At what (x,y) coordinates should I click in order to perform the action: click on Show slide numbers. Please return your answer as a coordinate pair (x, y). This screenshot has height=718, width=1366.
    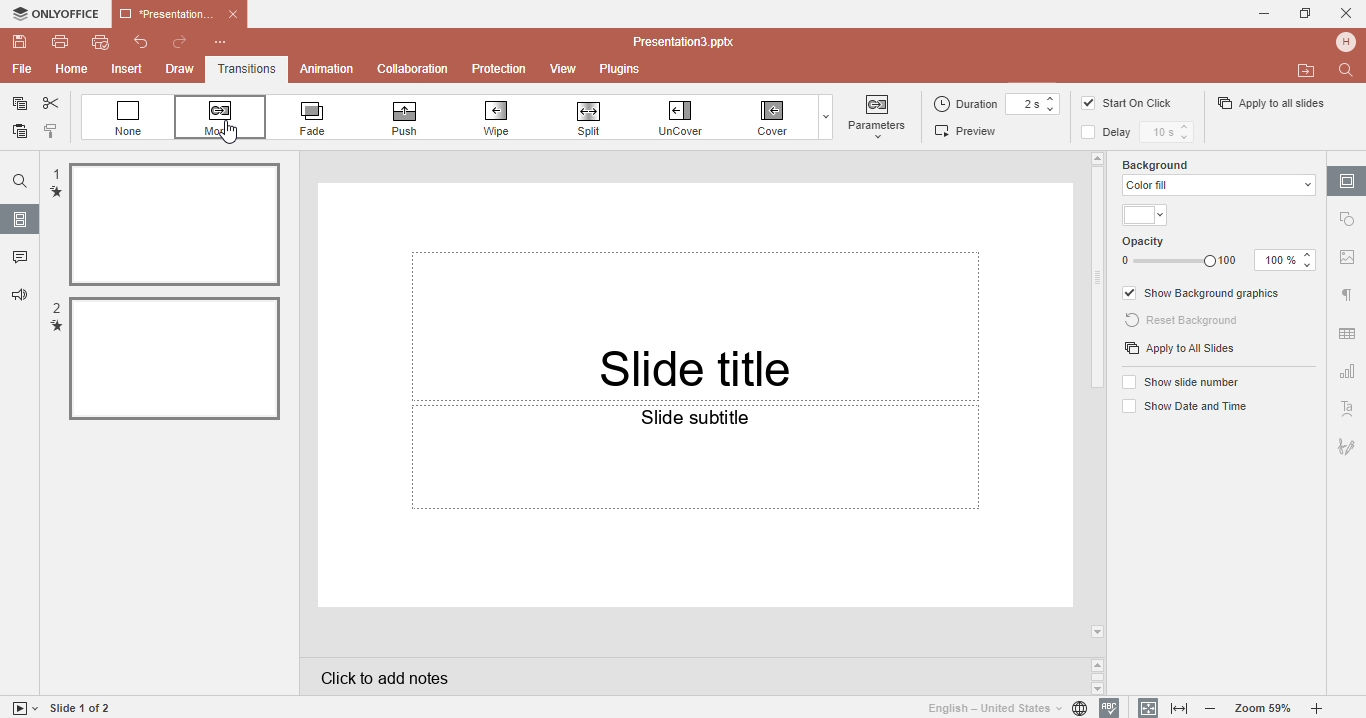
    Looking at the image, I should click on (1184, 381).